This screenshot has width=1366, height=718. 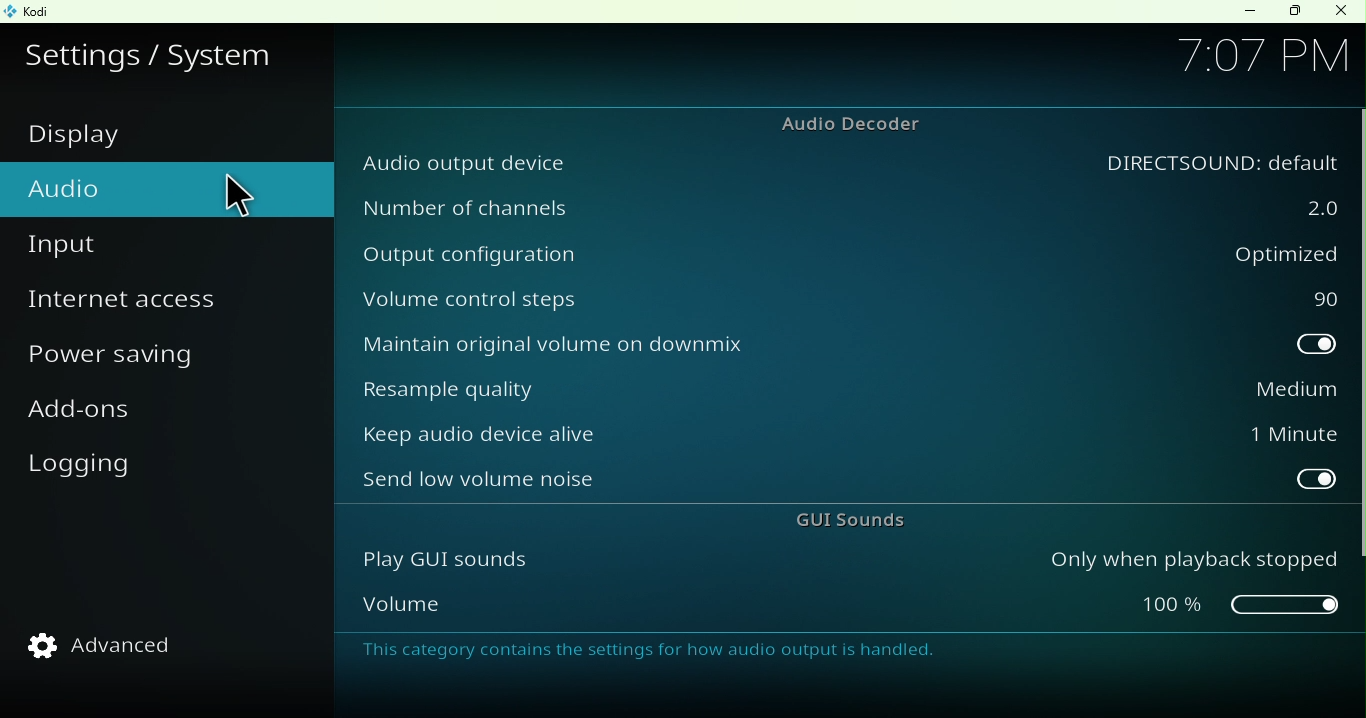 What do you see at coordinates (694, 563) in the screenshot?
I see `Play GUI sounds` at bounding box center [694, 563].